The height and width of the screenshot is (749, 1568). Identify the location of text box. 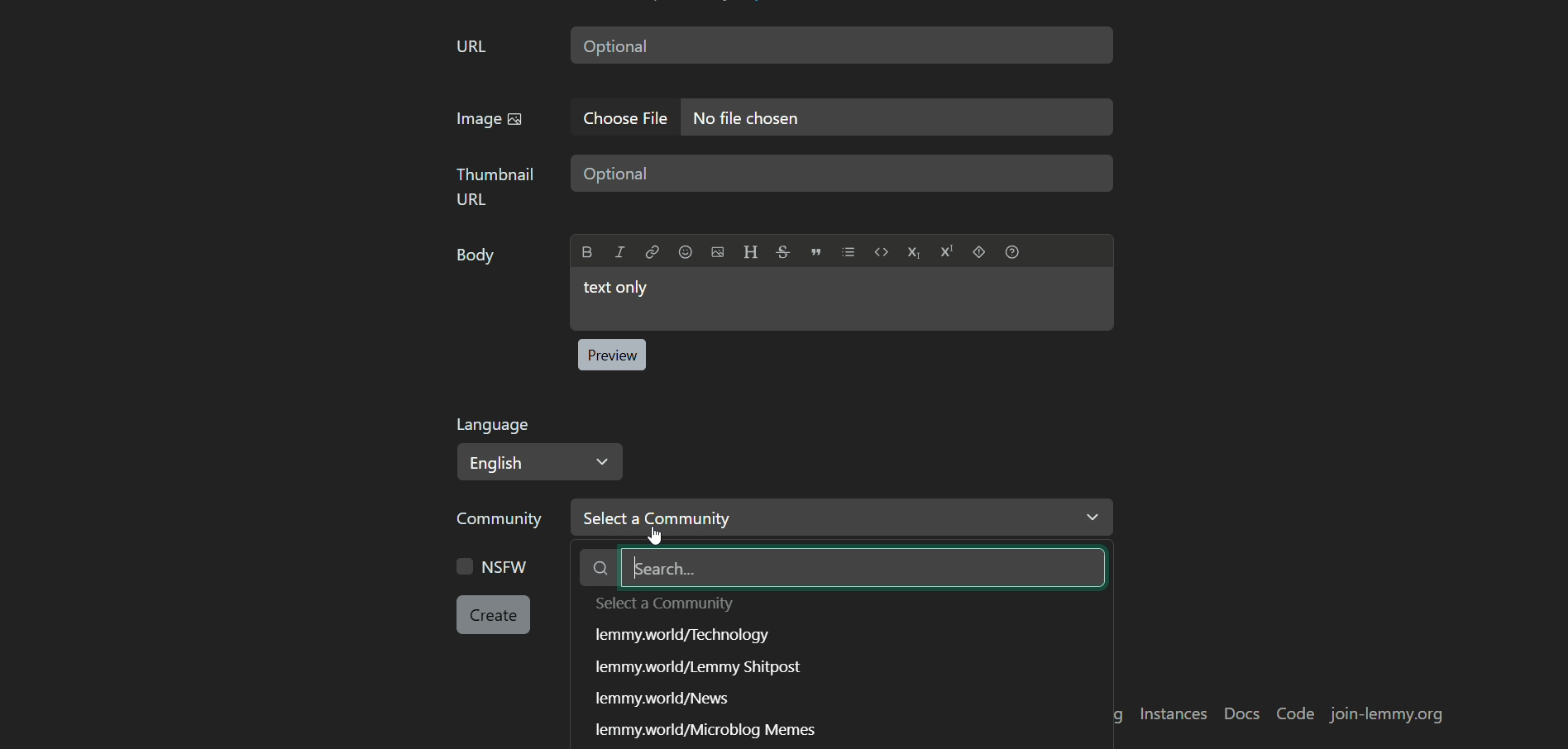
(842, 174).